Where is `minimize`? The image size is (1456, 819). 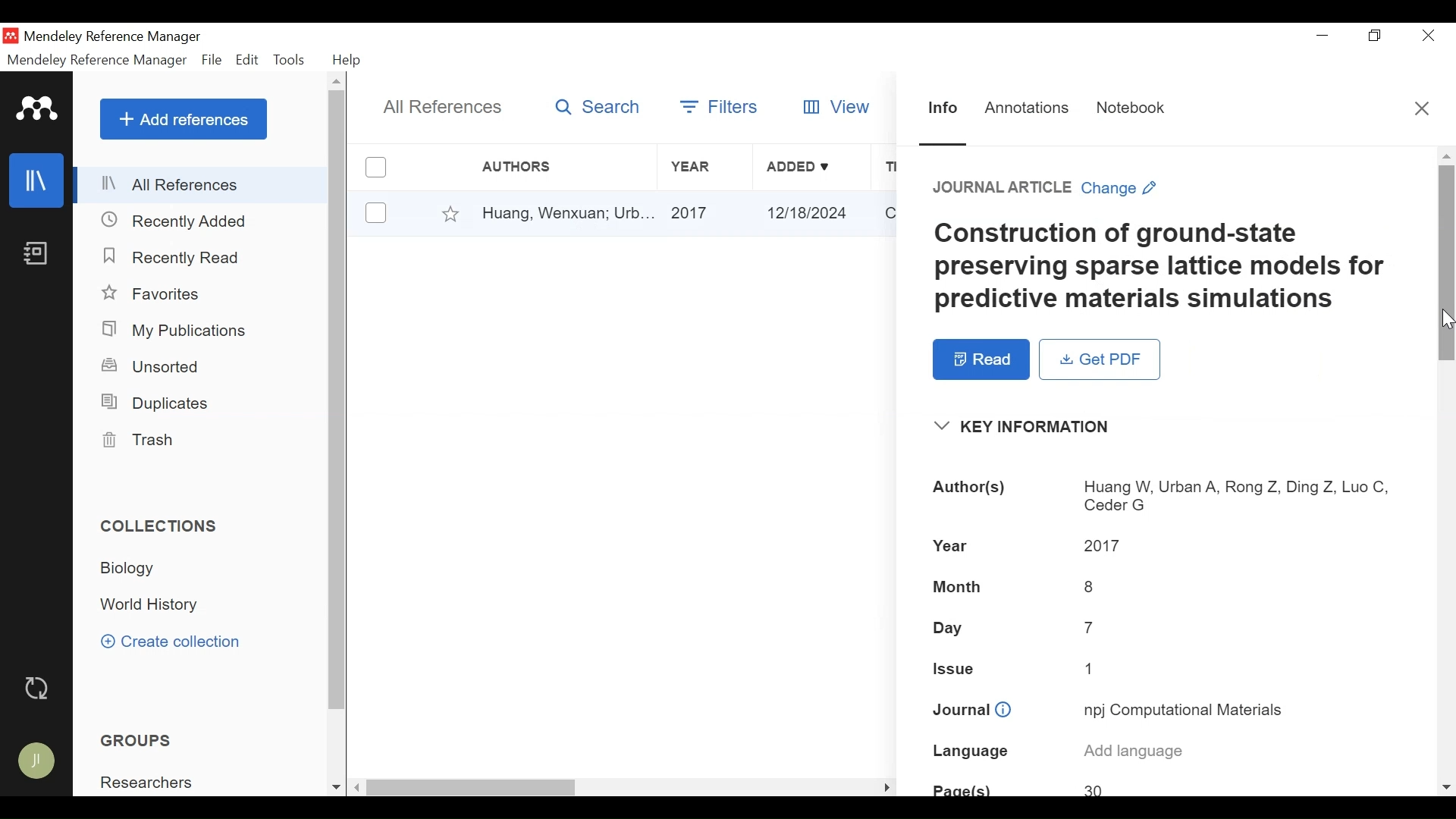
minimize is located at coordinates (1322, 35).